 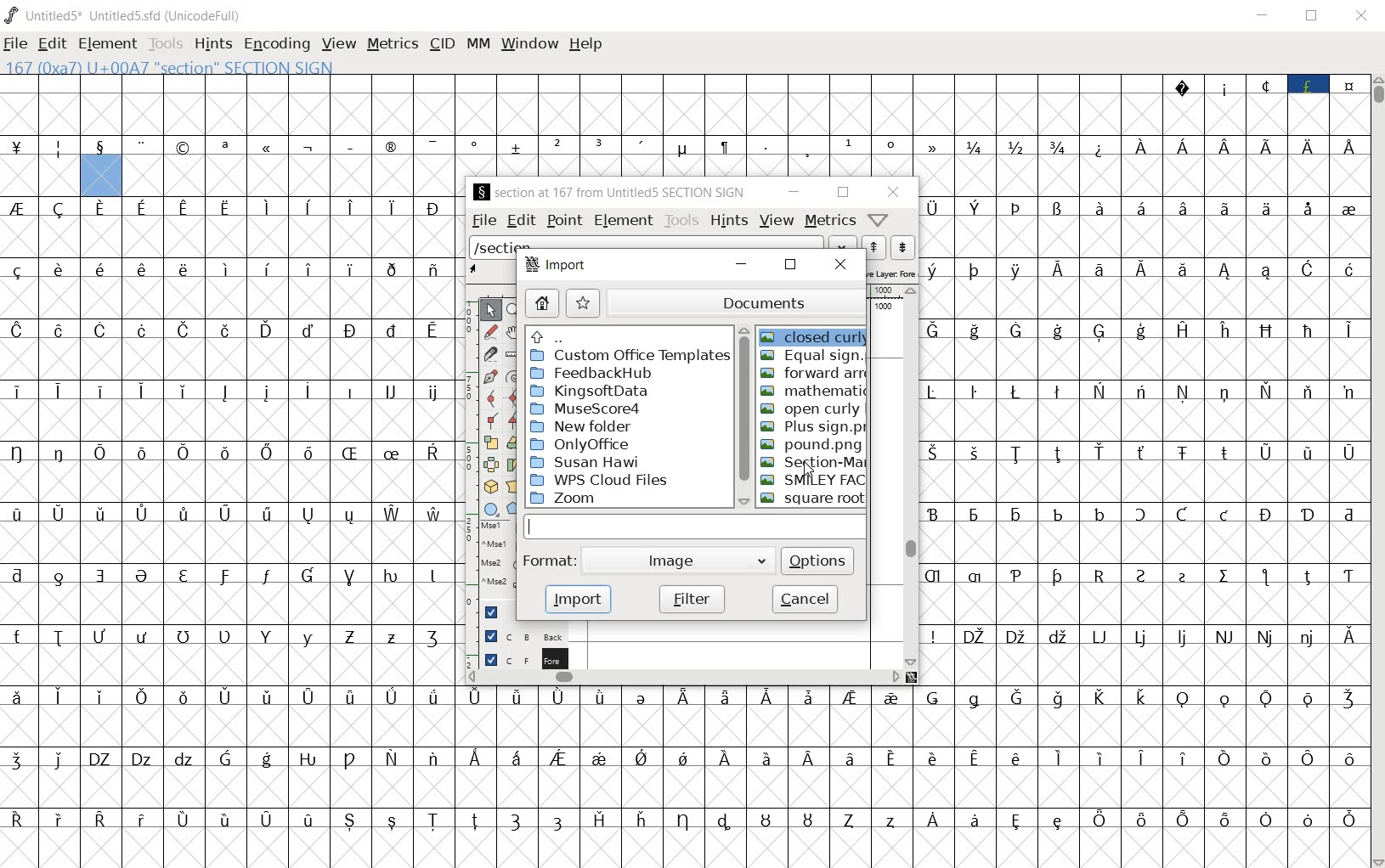 I want to click on cancel, so click(x=805, y=598).